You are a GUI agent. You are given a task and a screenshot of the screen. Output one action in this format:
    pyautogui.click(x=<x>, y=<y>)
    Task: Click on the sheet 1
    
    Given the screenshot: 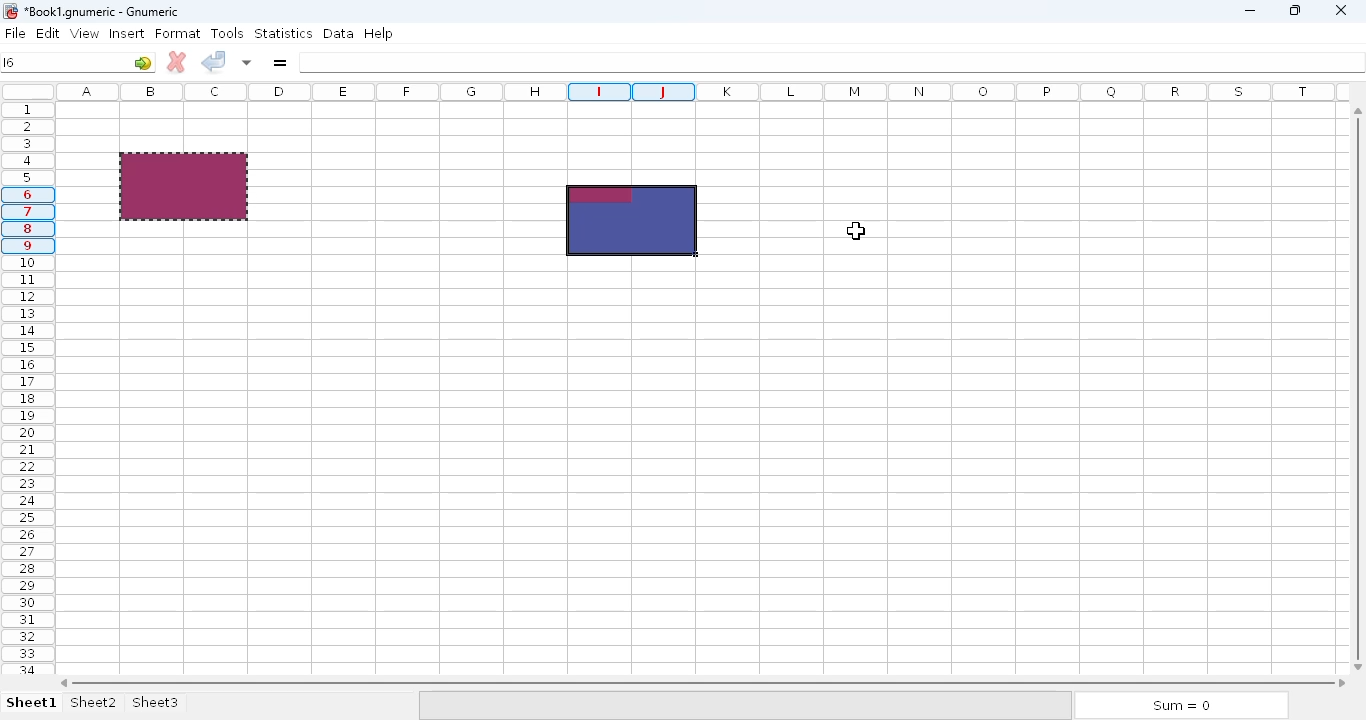 What is the action you would take?
    pyautogui.click(x=31, y=702)
    